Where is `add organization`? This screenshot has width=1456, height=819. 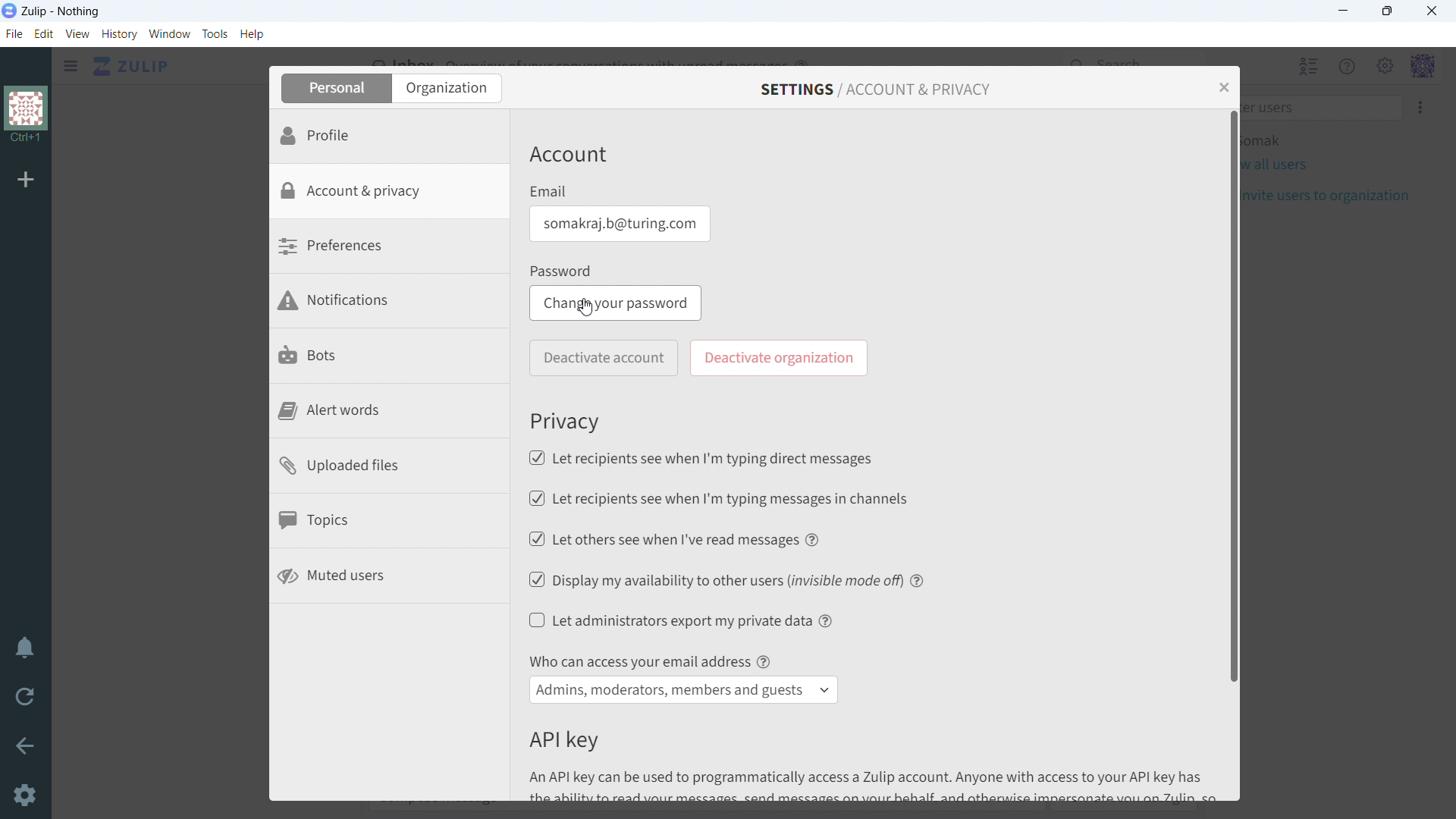
add organization is located at coordinates (26, 178).